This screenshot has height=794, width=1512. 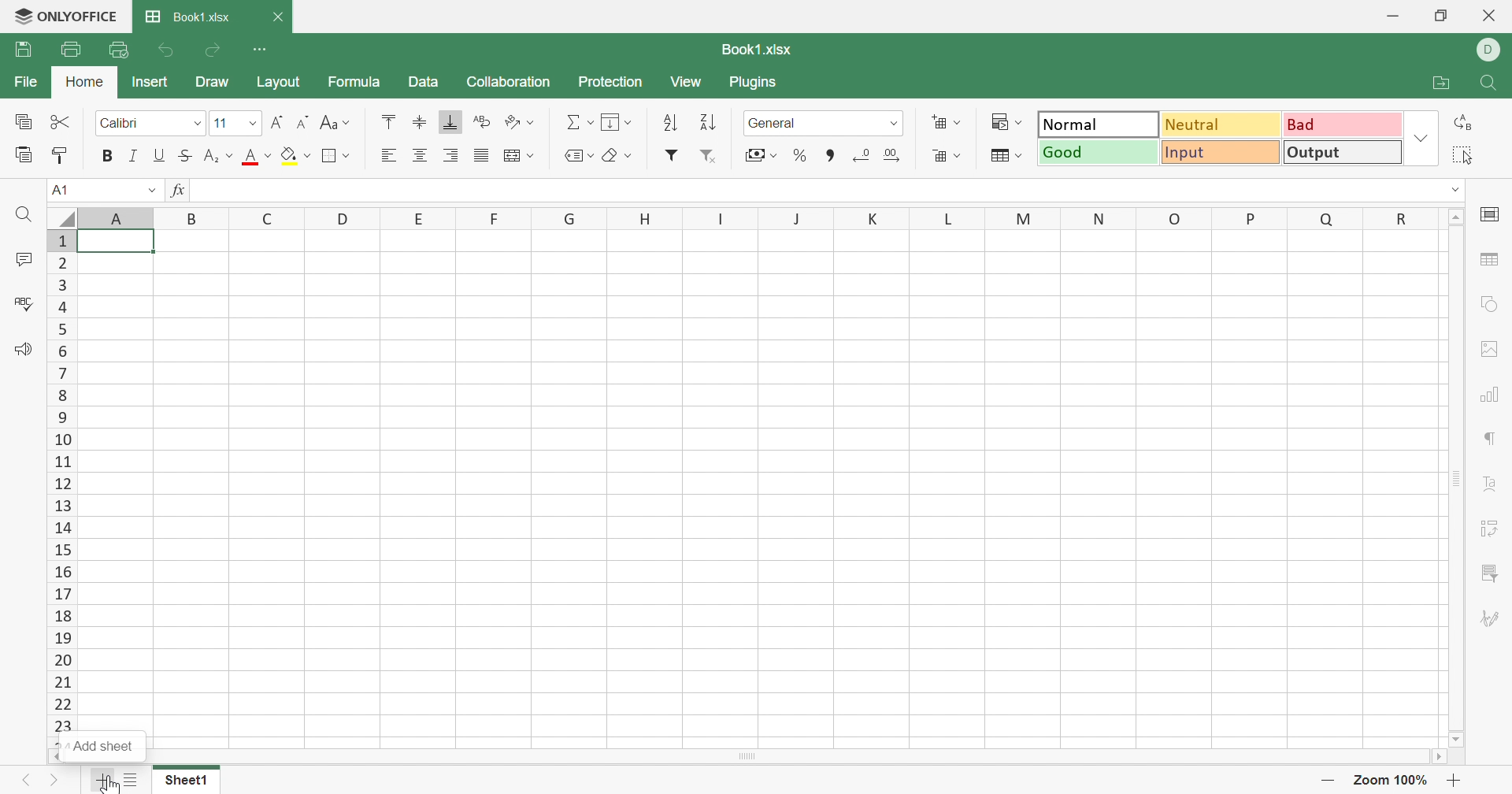 What do you see at coordinates (24, 48) in the screenshot?
I see `Save` at bounding box center [24, 48].